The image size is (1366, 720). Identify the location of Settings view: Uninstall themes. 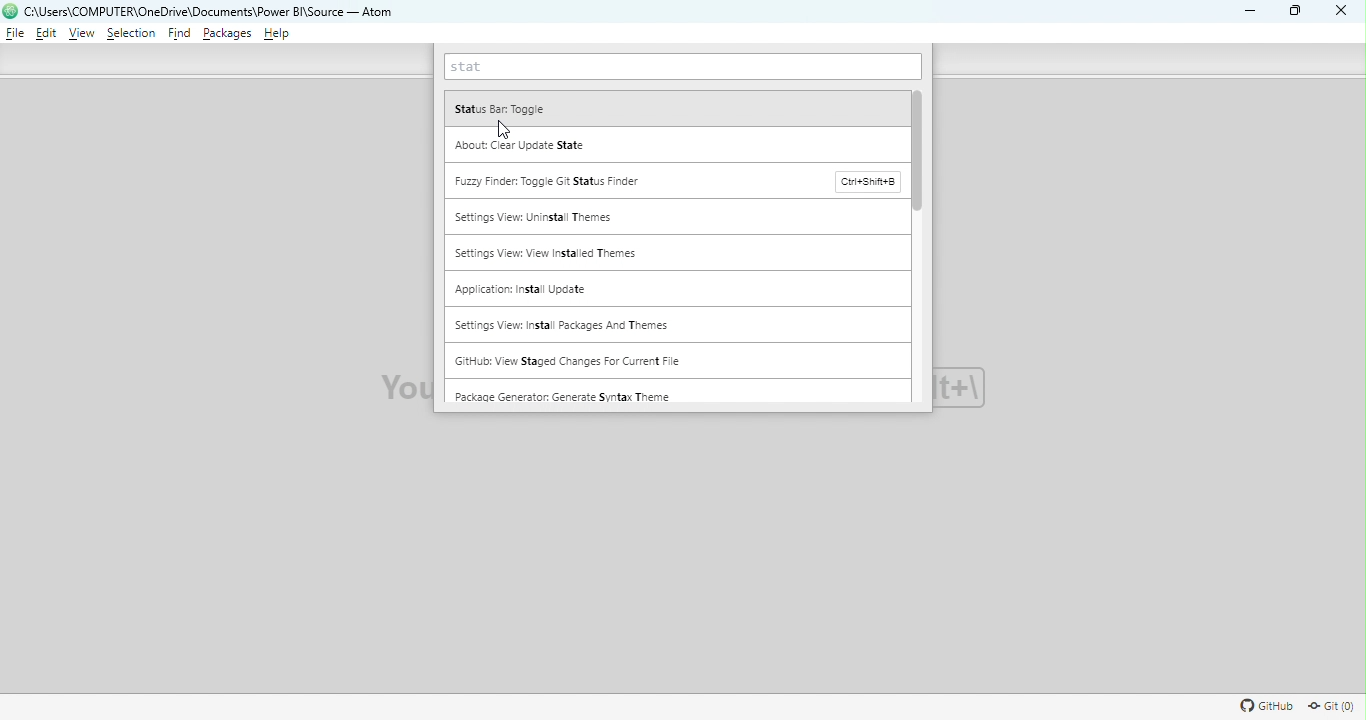
(676, 218).